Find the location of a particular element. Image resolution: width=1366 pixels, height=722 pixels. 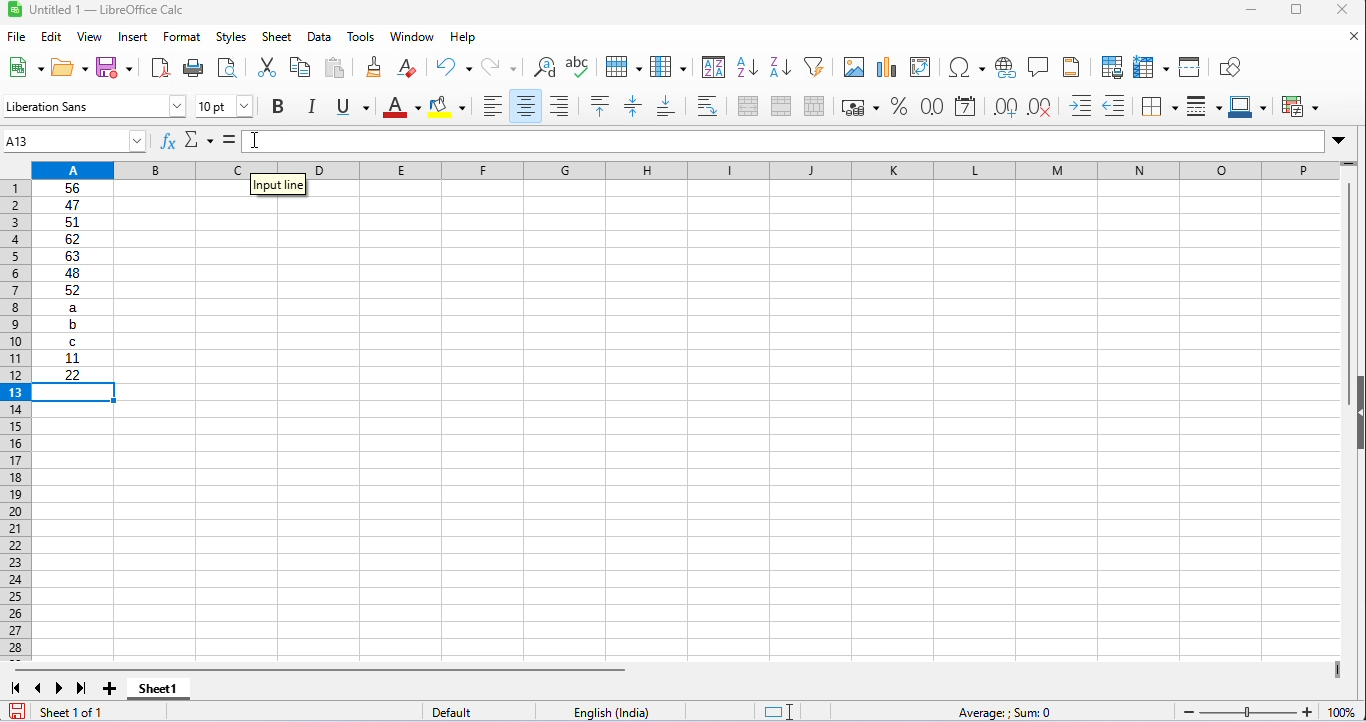

insert comment is located at coordinates (1037, 66).